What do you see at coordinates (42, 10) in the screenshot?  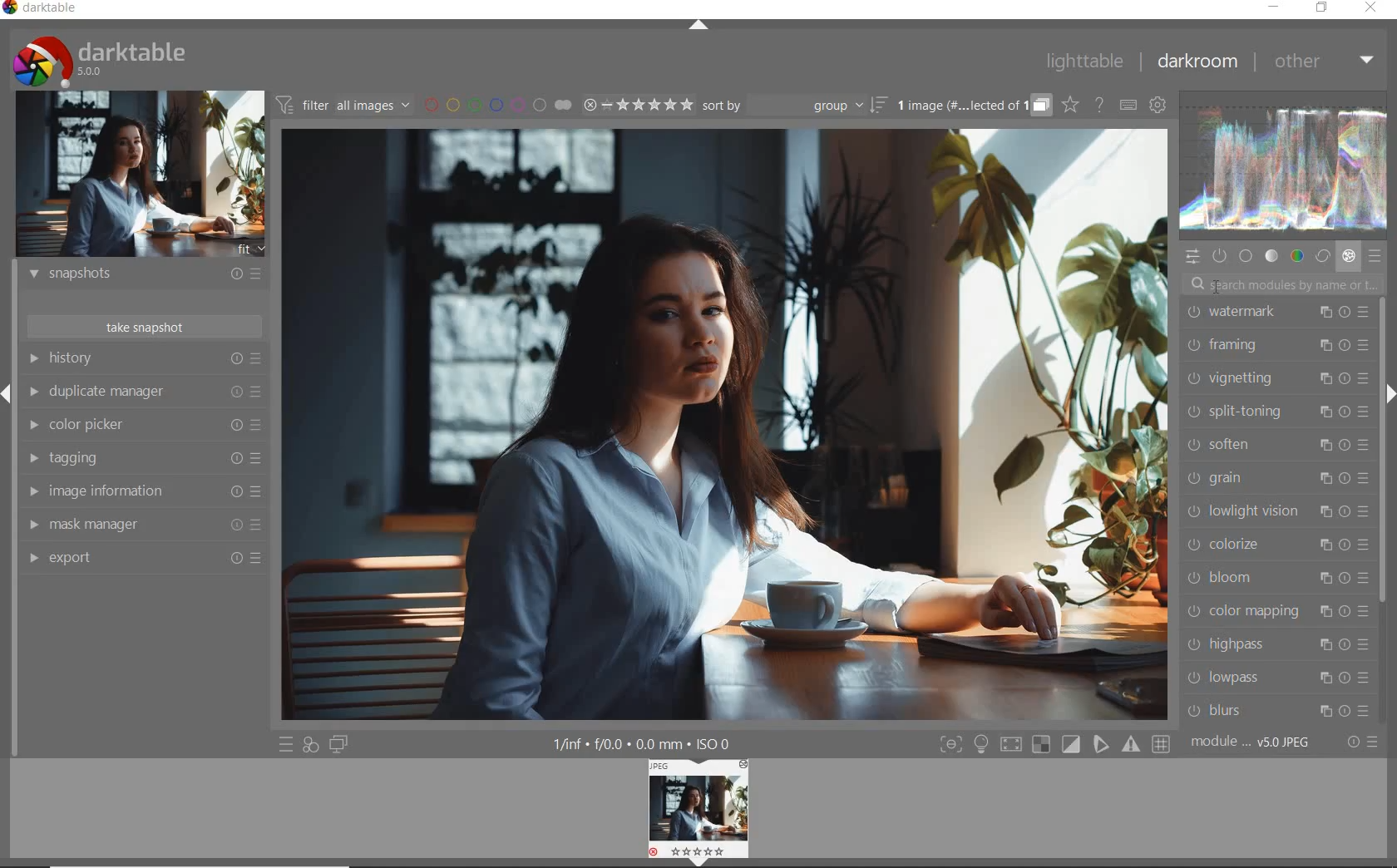 I see `system name` at bounding box center [42, 10].